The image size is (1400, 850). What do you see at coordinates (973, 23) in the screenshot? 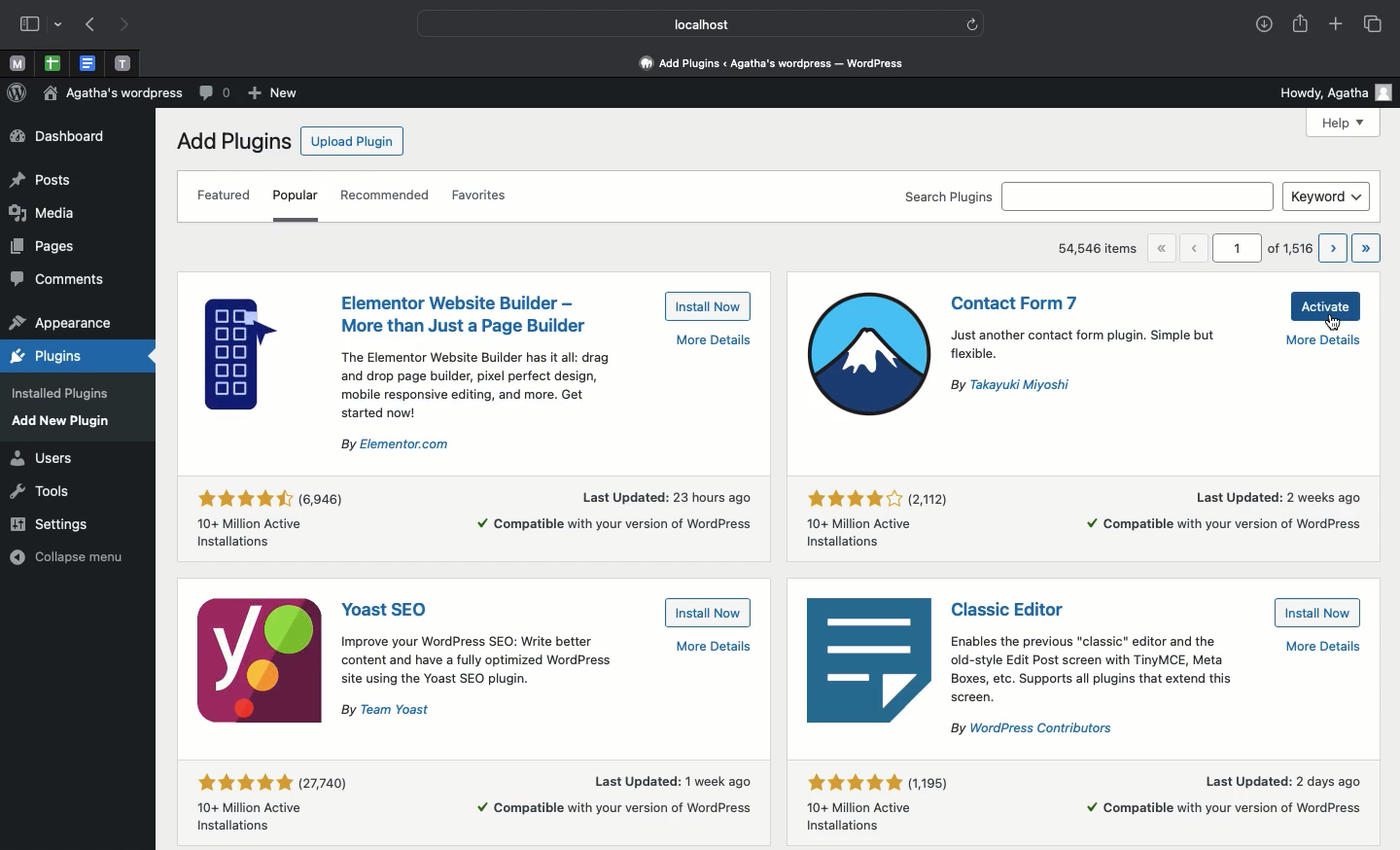
I see `refresh` at bounding box center [973, 23].